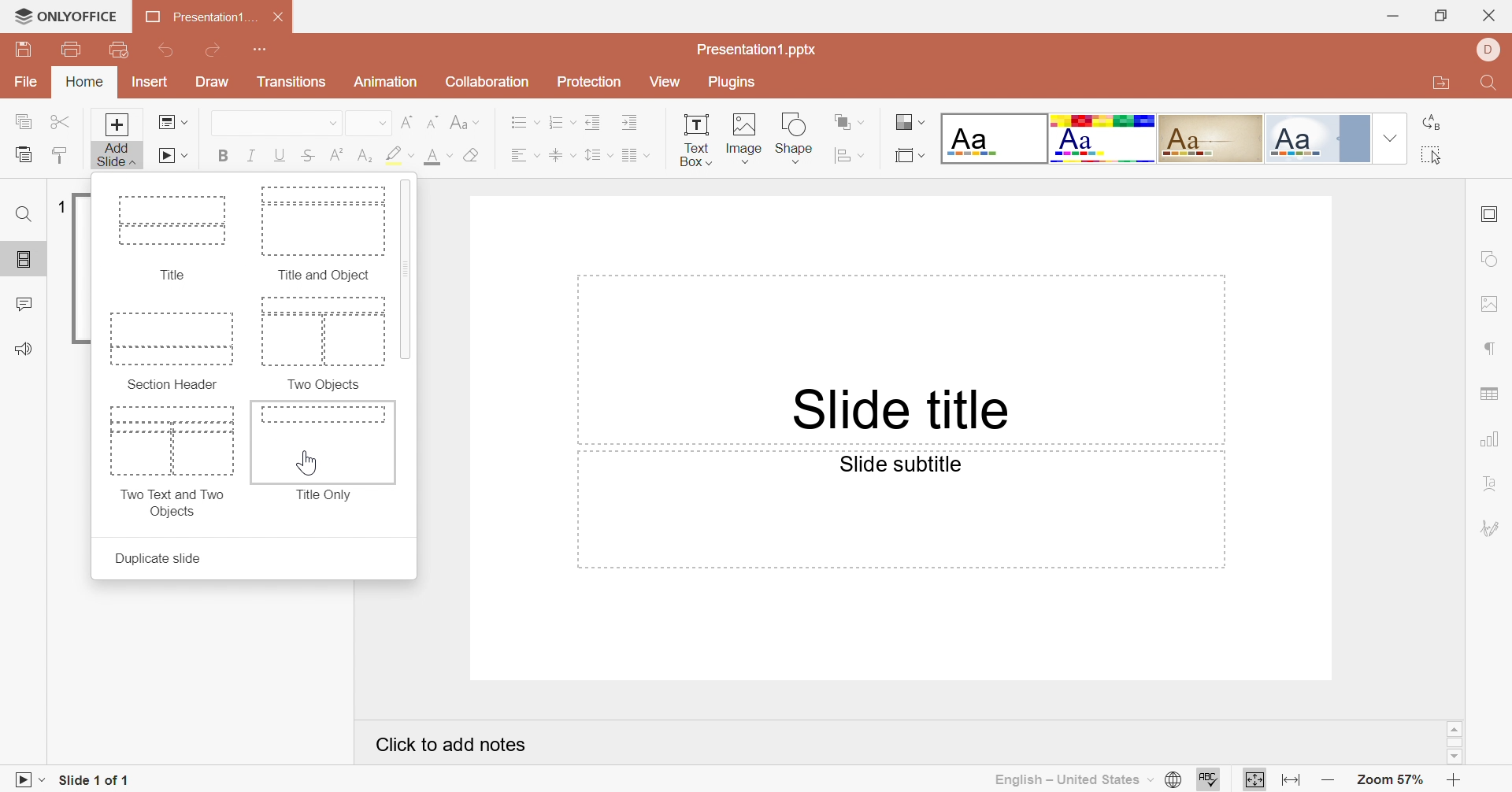 The image size is (1512, 792). Describe the element at coordinates (900, 466) in the screenshot. I see `Slide subtitle` at that location.